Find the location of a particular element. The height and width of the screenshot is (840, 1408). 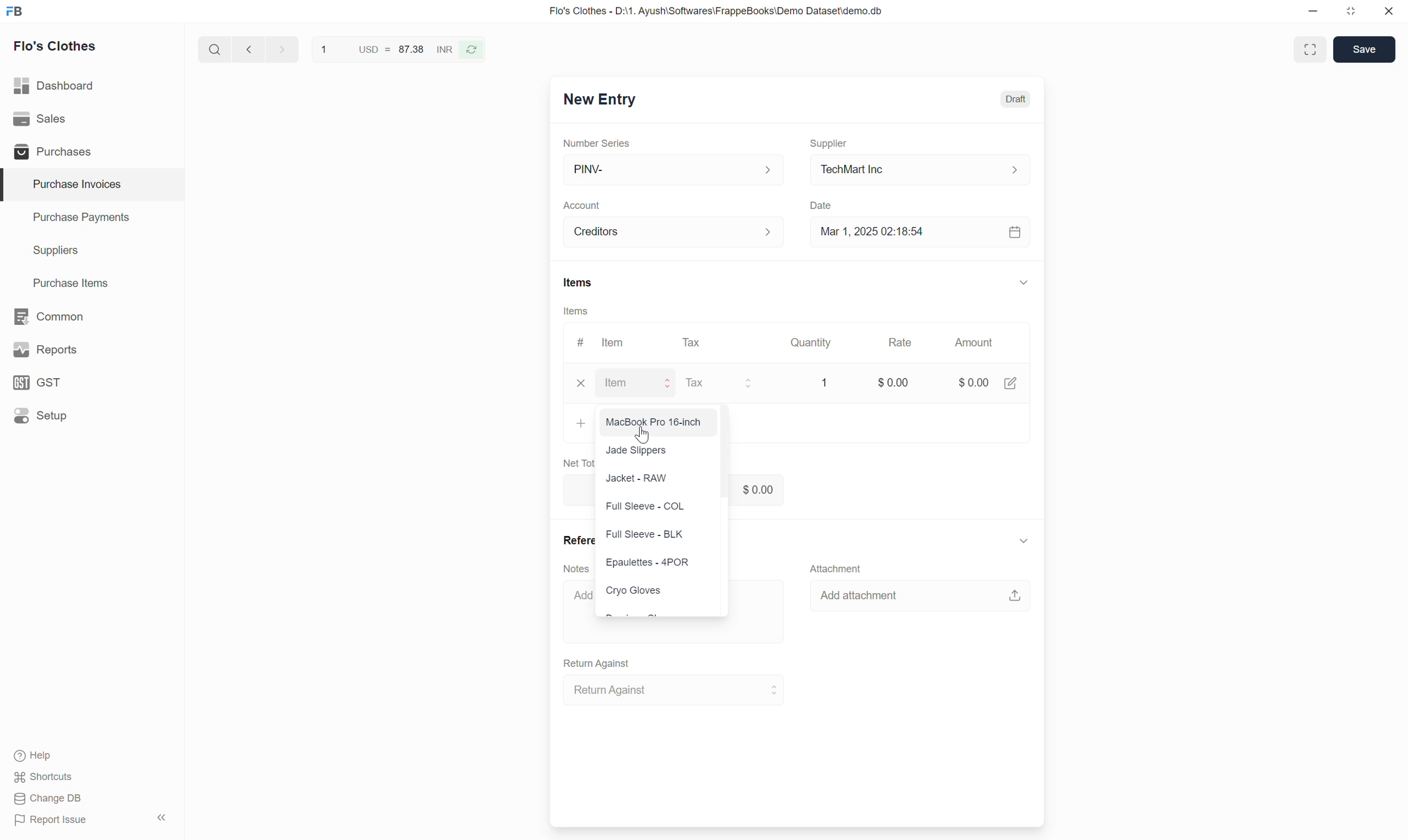

Supplier is located at coordinates (829, 144).